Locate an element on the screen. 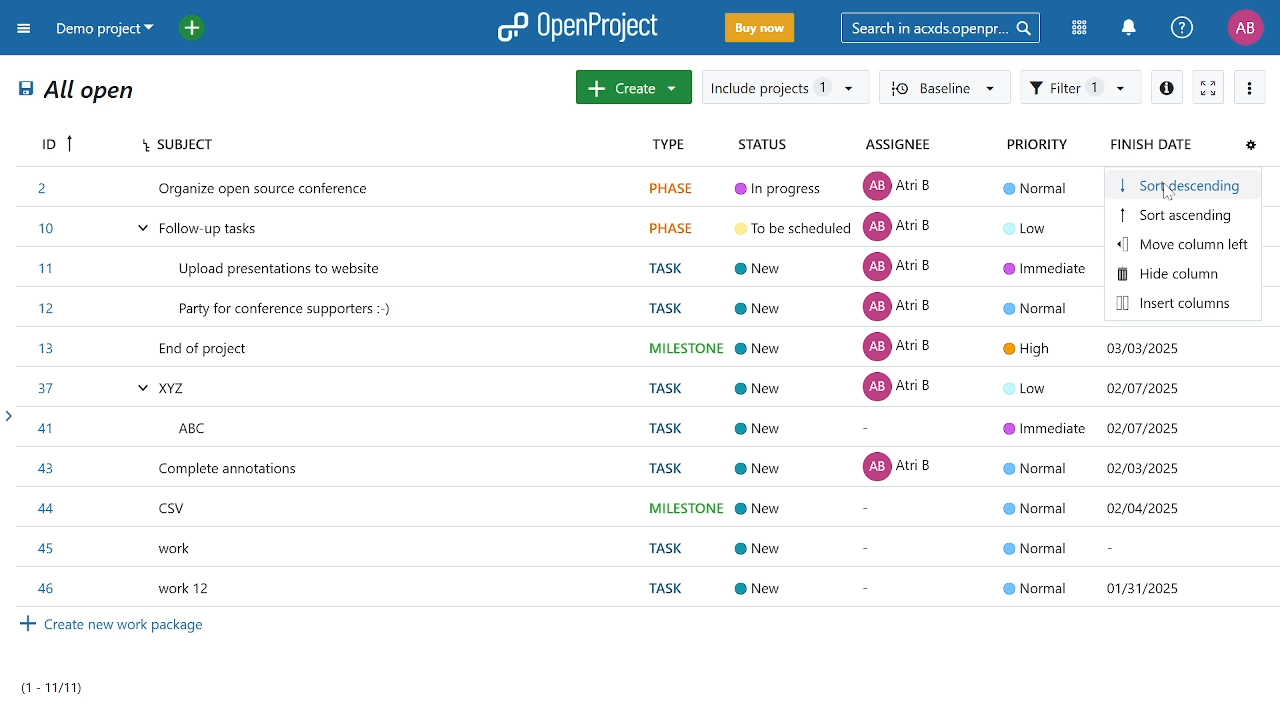 The height and width of the screenshot is (720, 1280). create is located at coordinates (635, 86).